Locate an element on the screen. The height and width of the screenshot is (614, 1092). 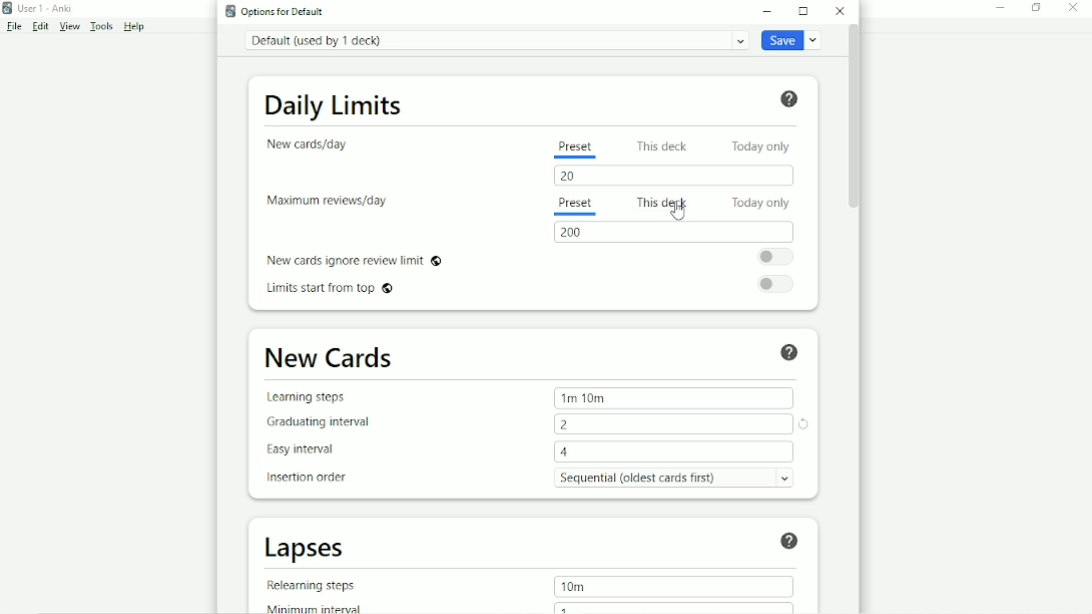
Edit is located at coordinates (39, 25).